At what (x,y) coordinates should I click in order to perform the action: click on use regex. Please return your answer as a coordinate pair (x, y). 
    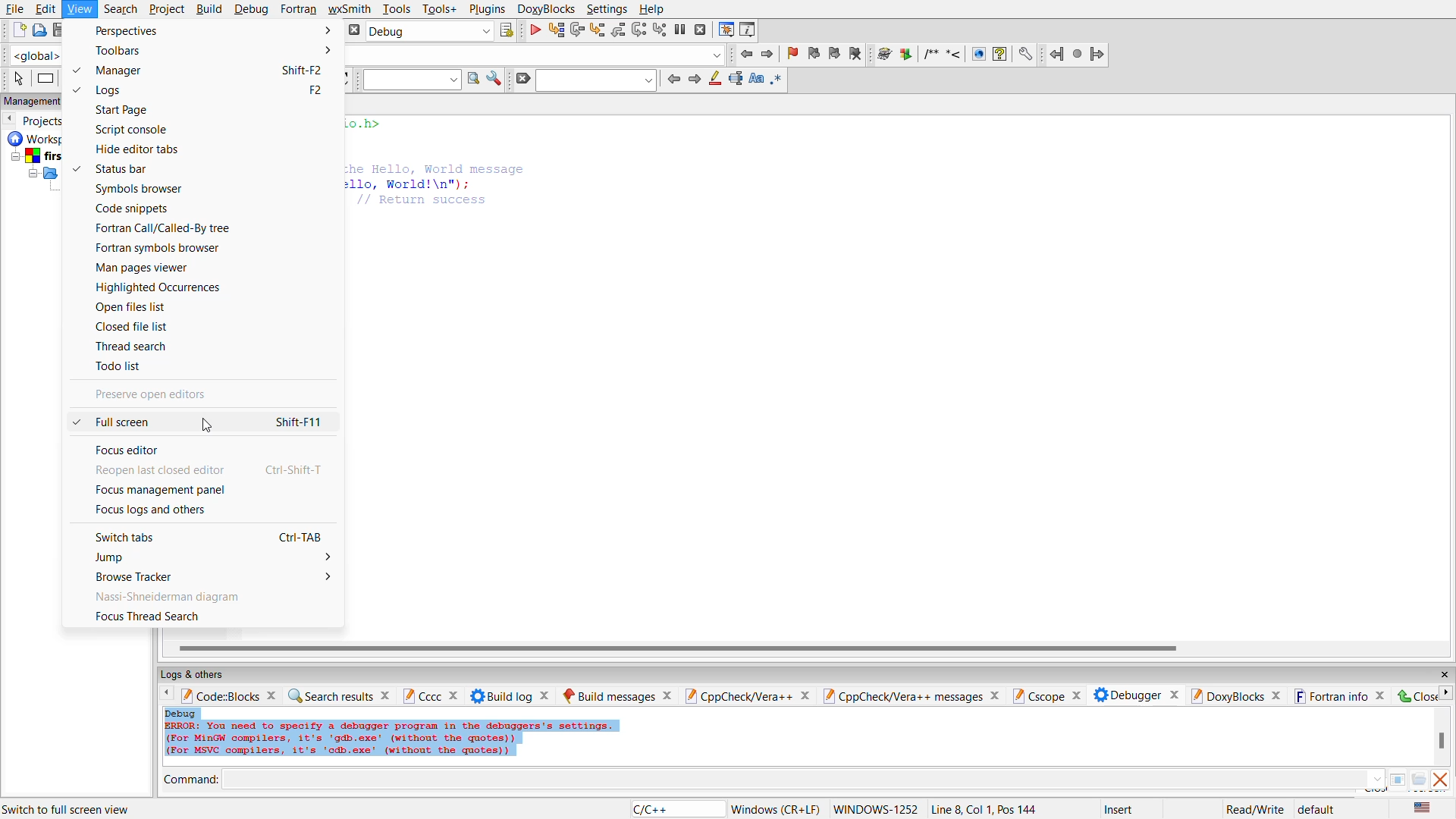
    Looking at the image, I should click on (781, 81).